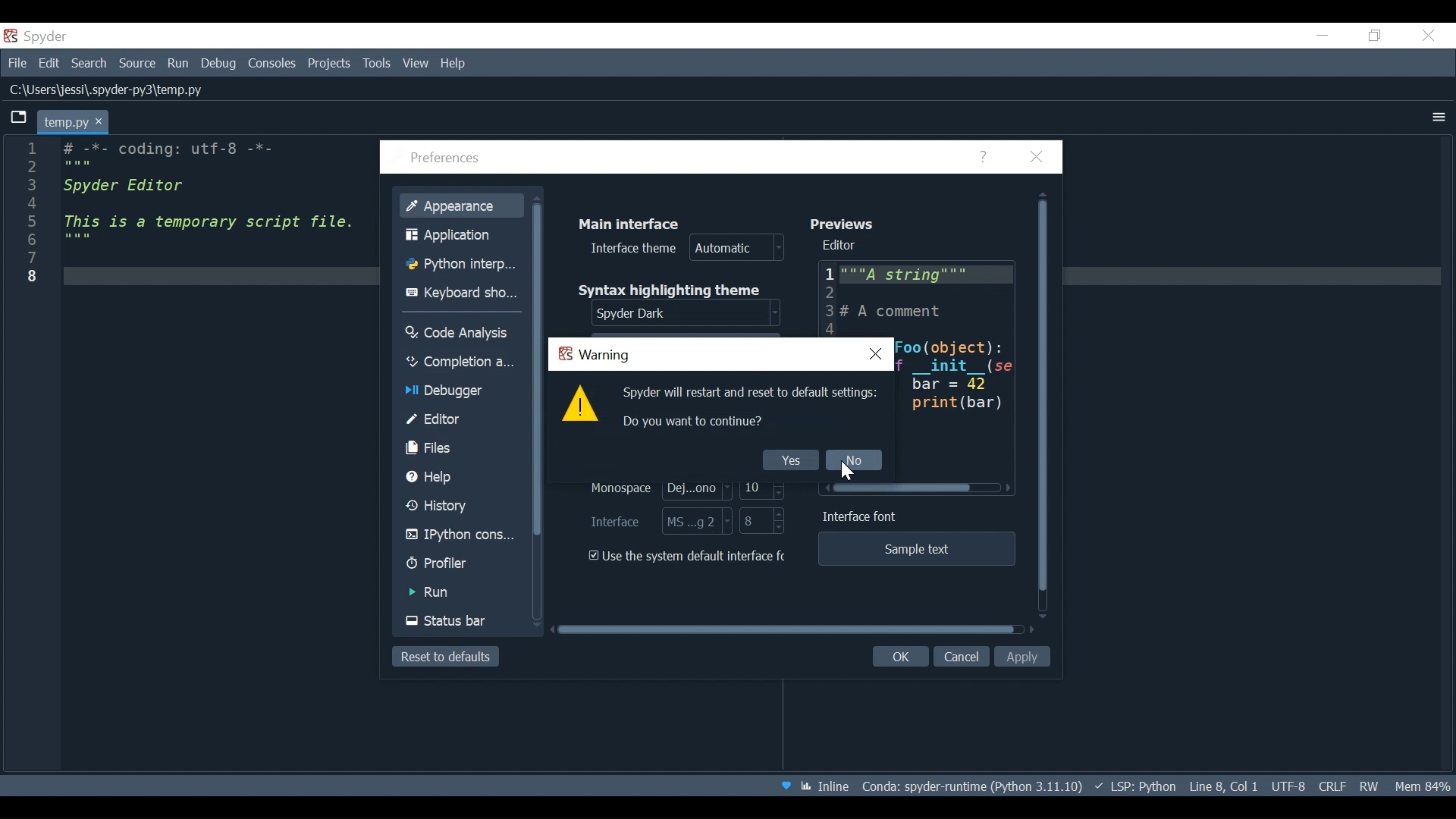  Describe the element at coordinates (416, 63) in the screenshot. I see `View` at that location.